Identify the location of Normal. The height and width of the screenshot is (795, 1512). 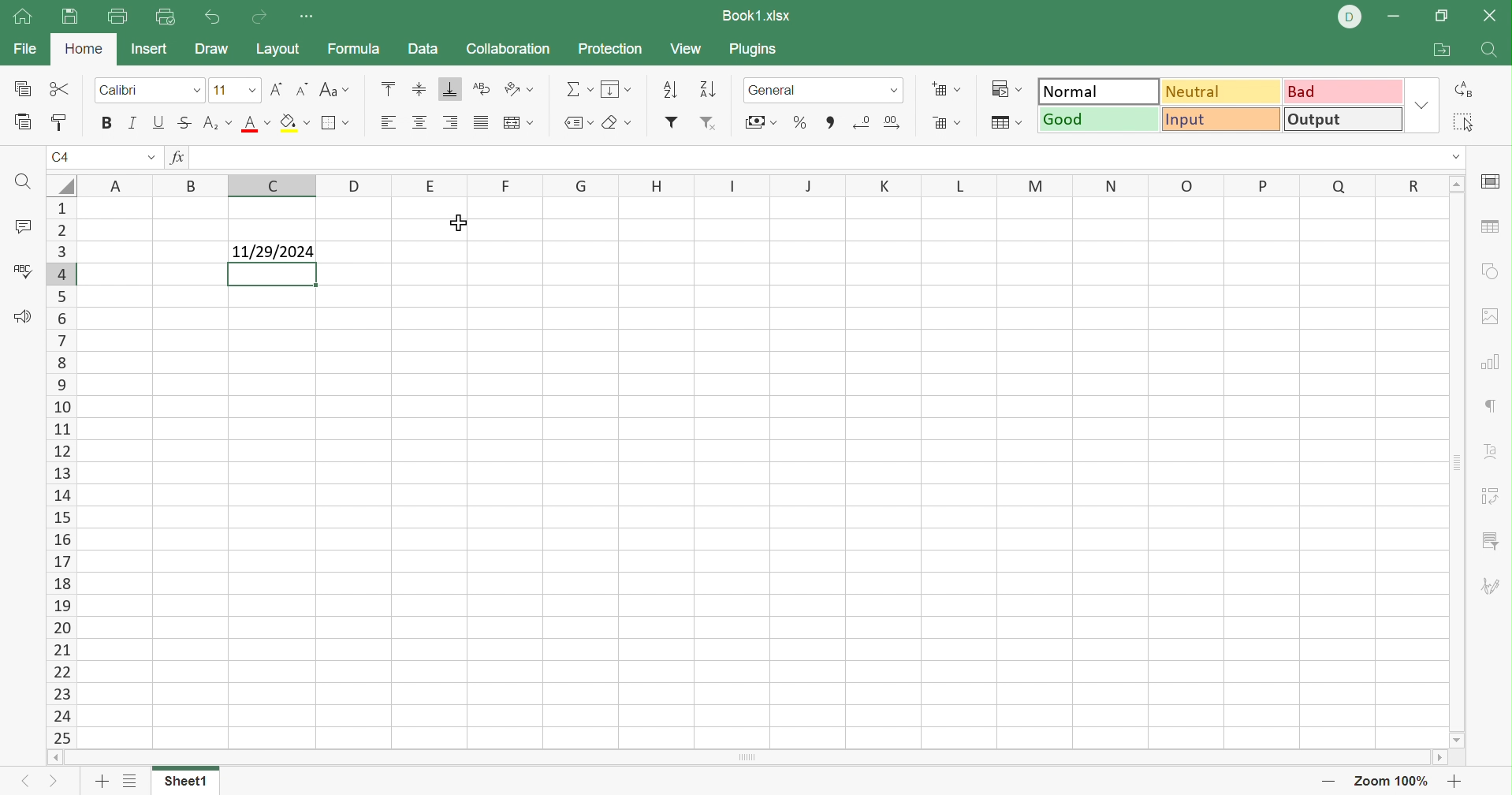
(1097, 90).